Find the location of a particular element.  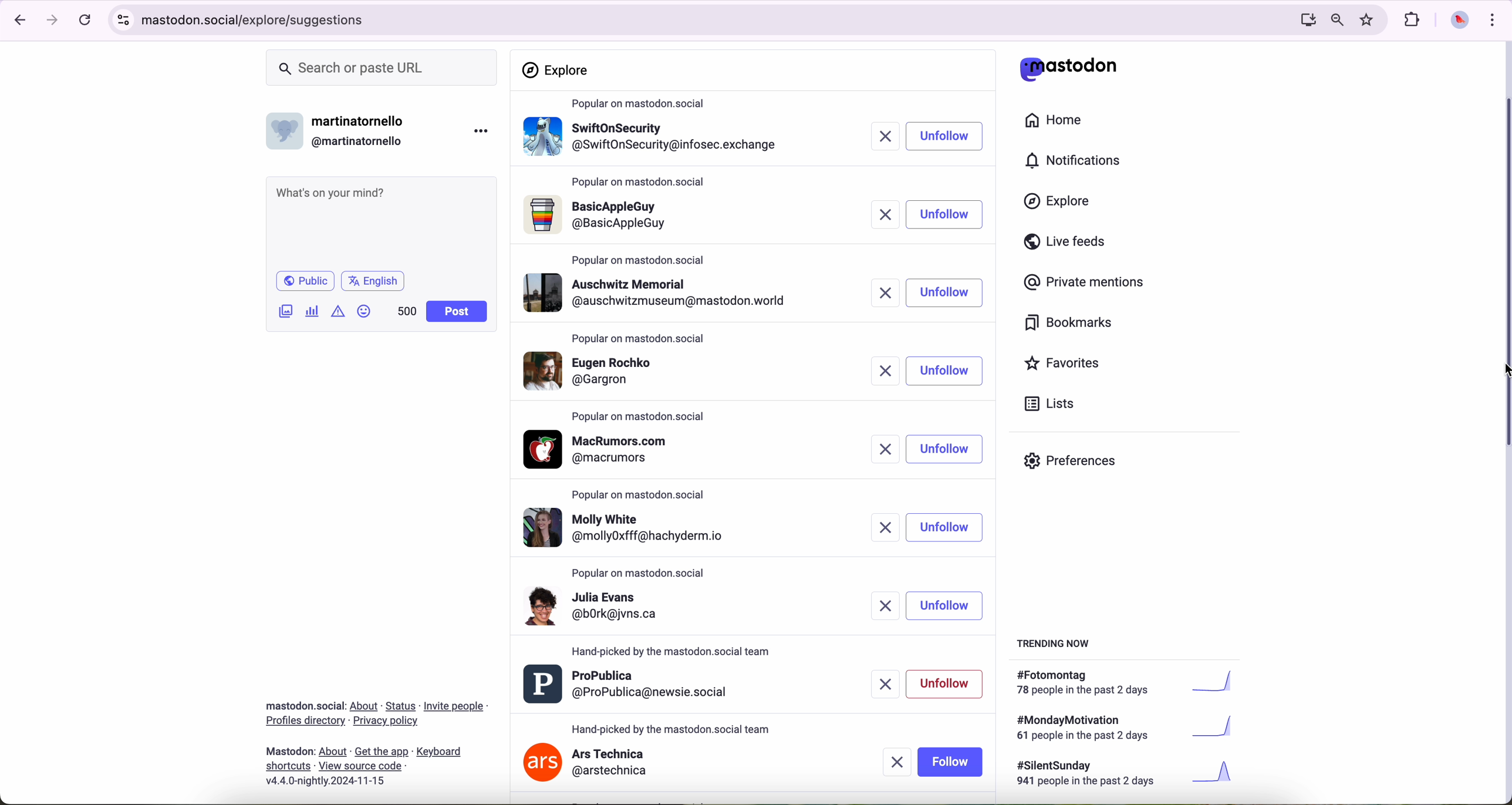

matodon logo is located at coordinates (1069, 69).